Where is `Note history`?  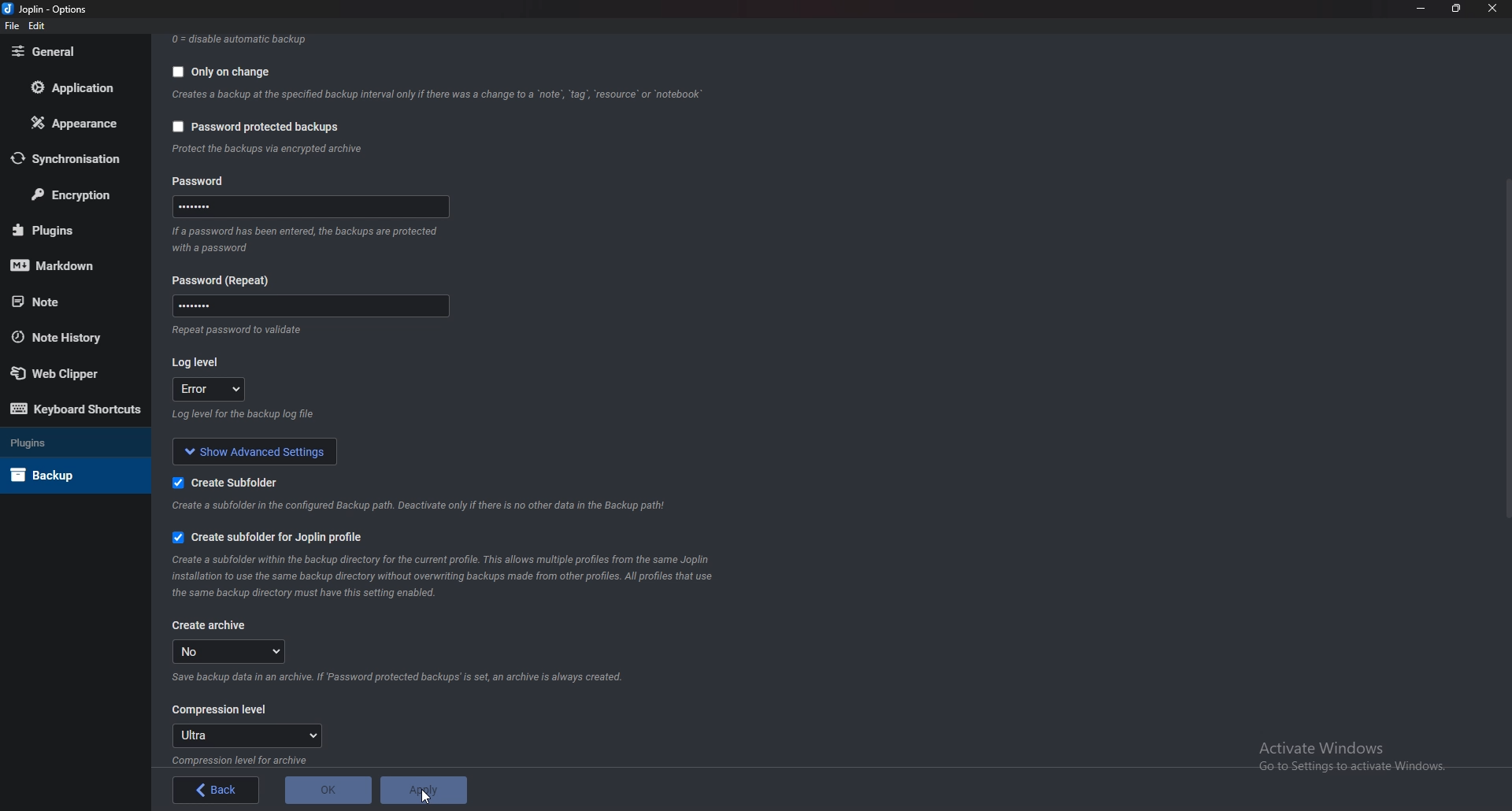
Note history is located at coordinates (67, 339).